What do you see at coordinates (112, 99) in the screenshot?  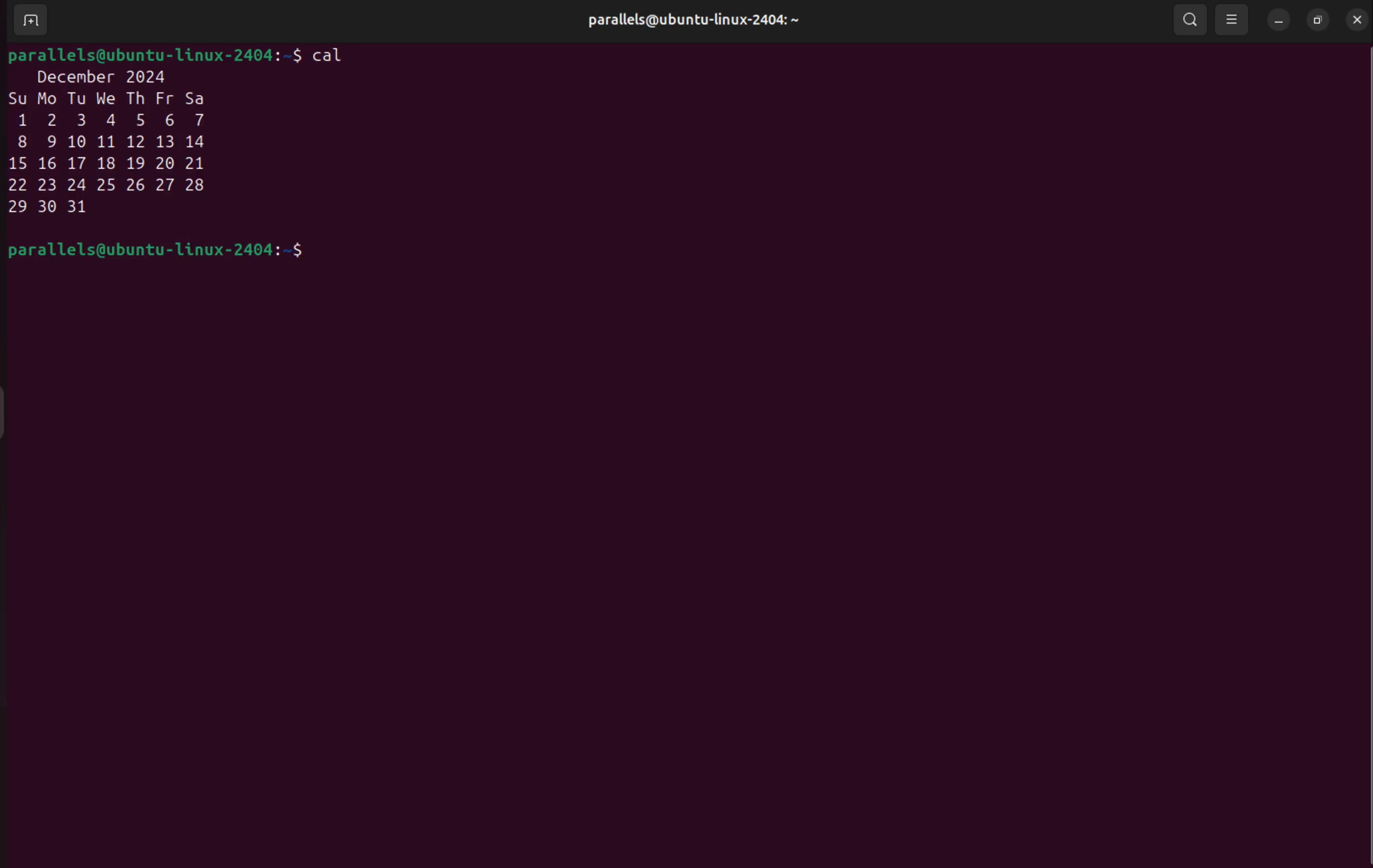 I see `days` at bounding box center [112, 99].